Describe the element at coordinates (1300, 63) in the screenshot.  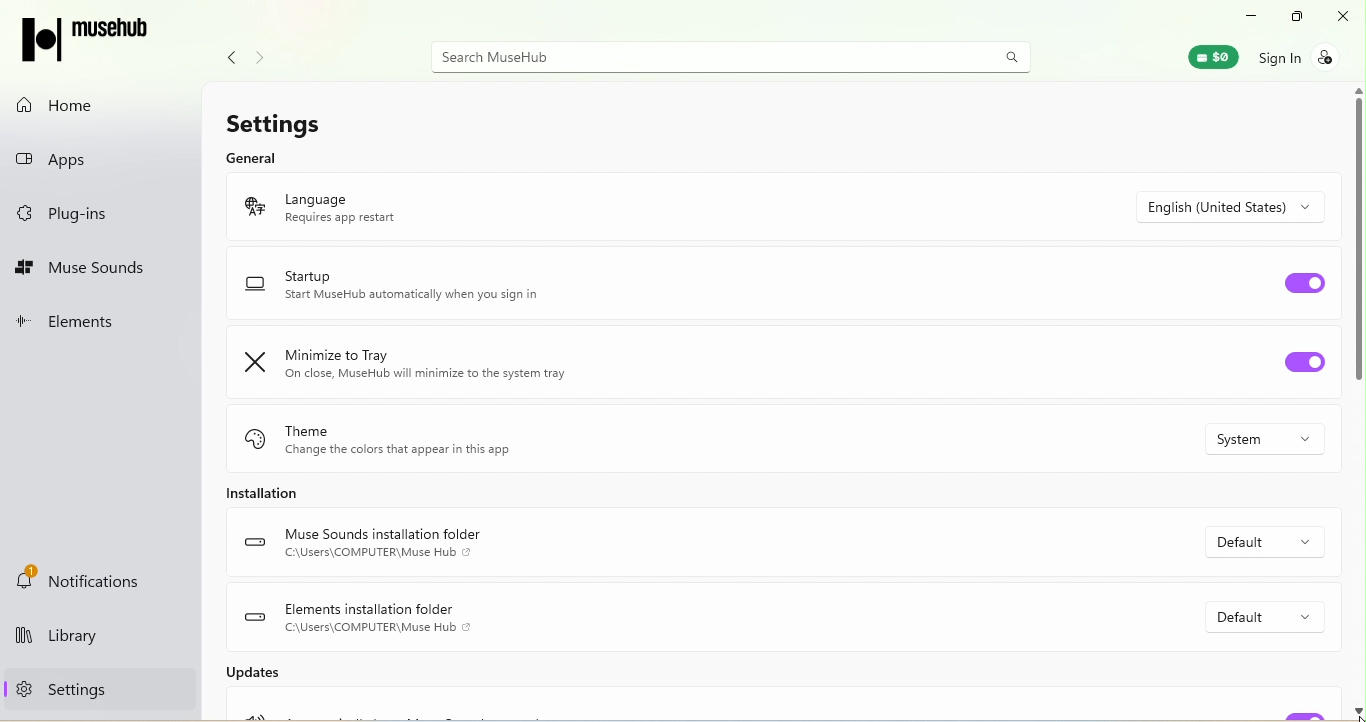
I see `Sign in ` at that location.